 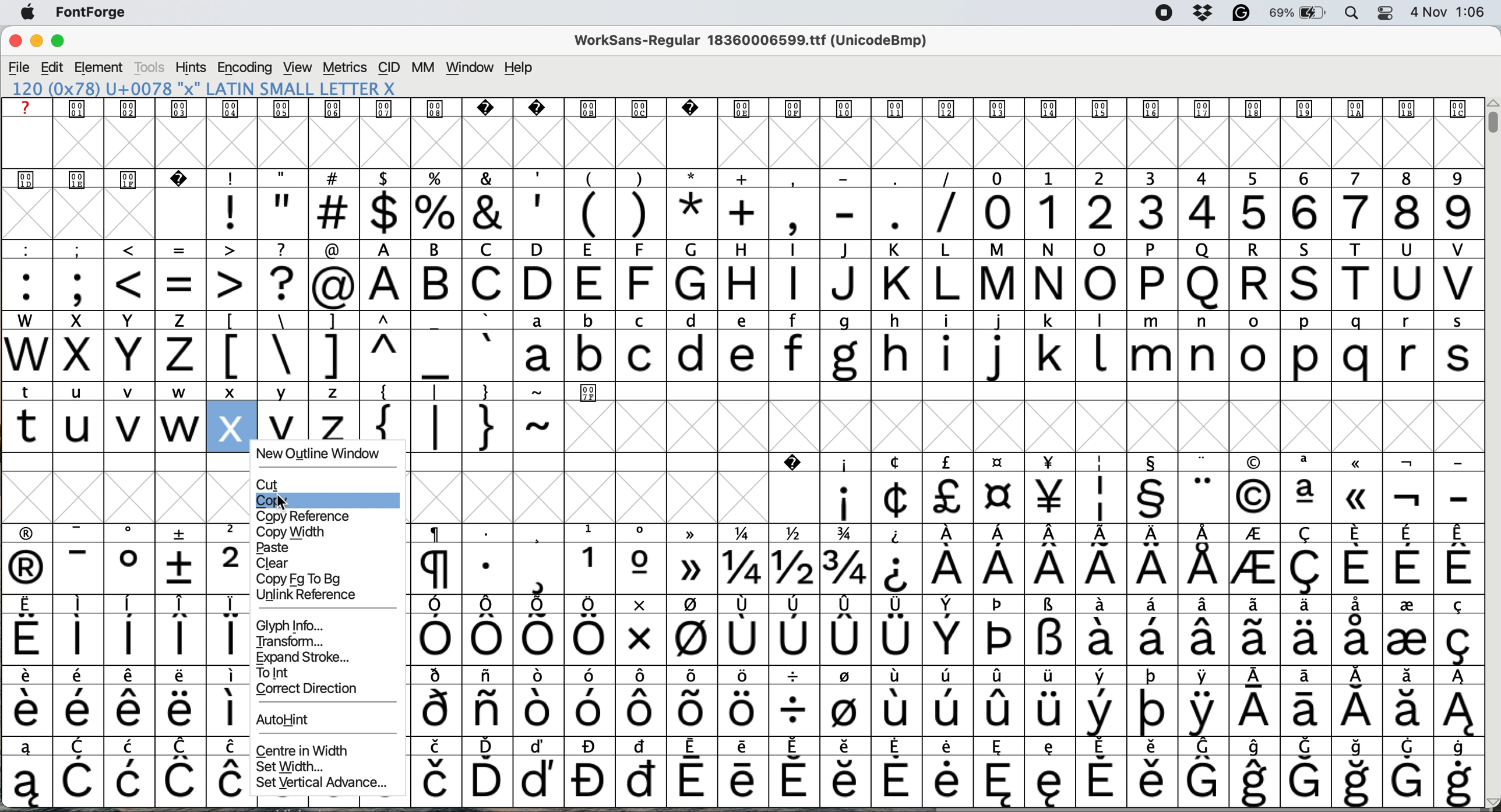 What do you see at coordinates (191, 69) in the screenshot?
I see `hints` at bounding box center [191, 69].